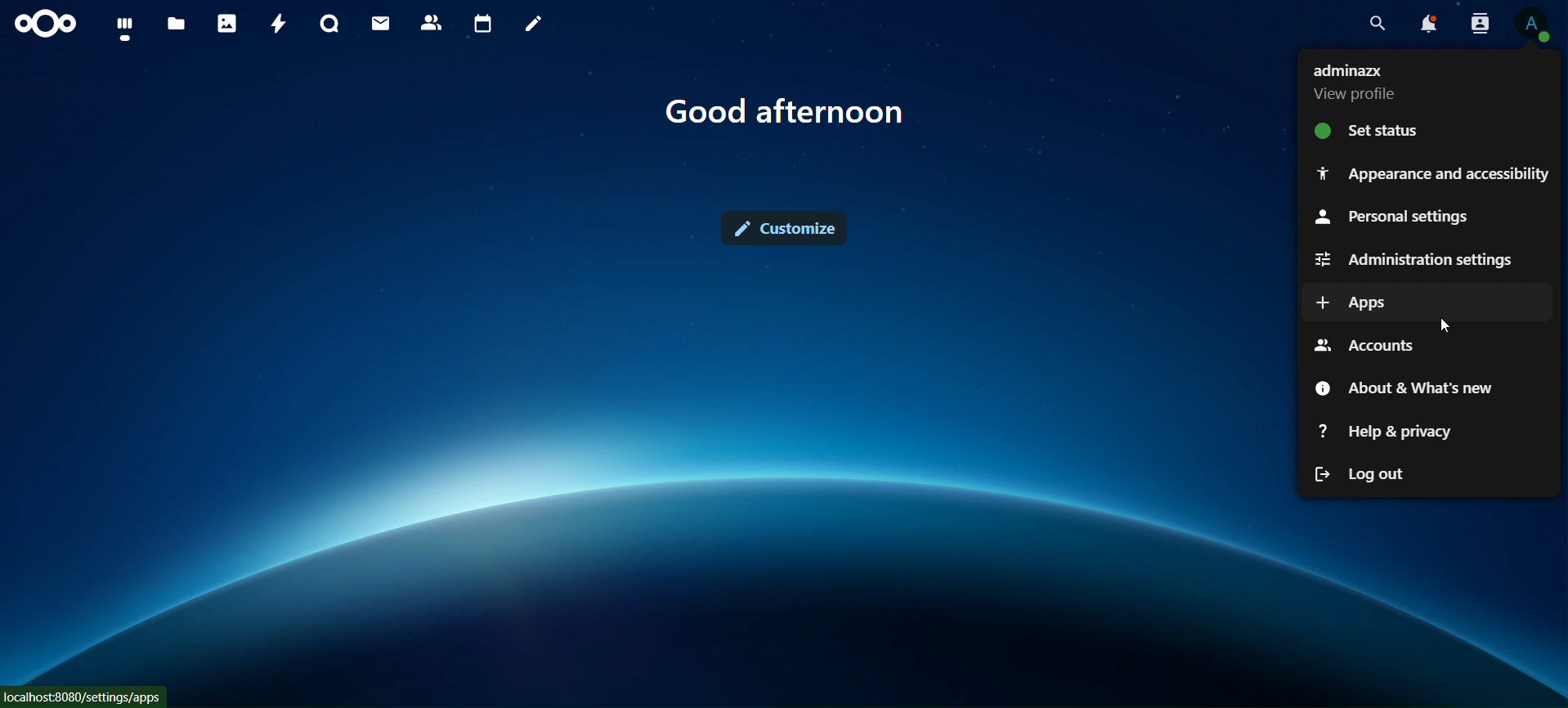  I want to click on calendar, so click(482, 21).